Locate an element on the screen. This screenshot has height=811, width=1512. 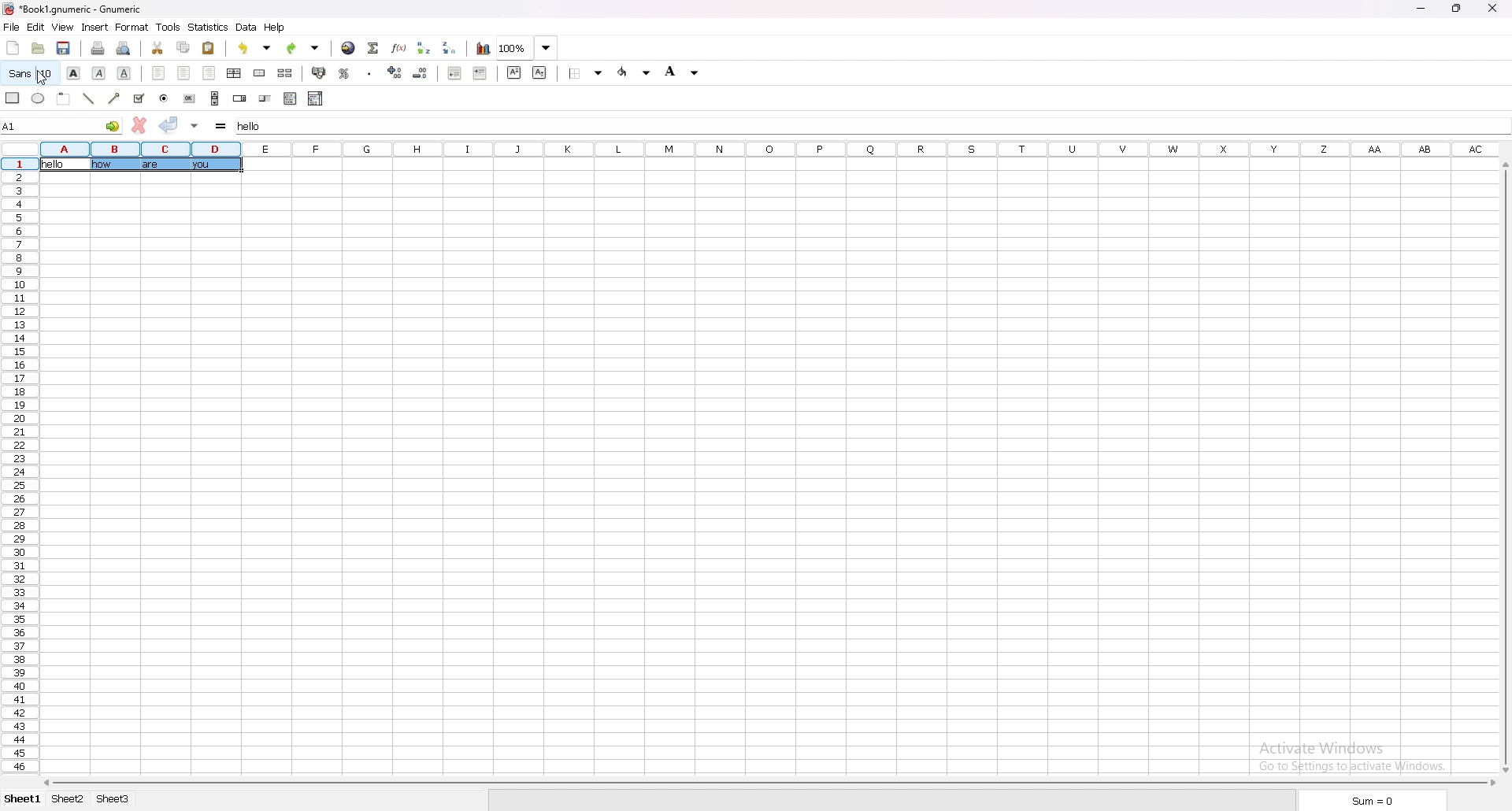
button is located at coordinates (190, 98).